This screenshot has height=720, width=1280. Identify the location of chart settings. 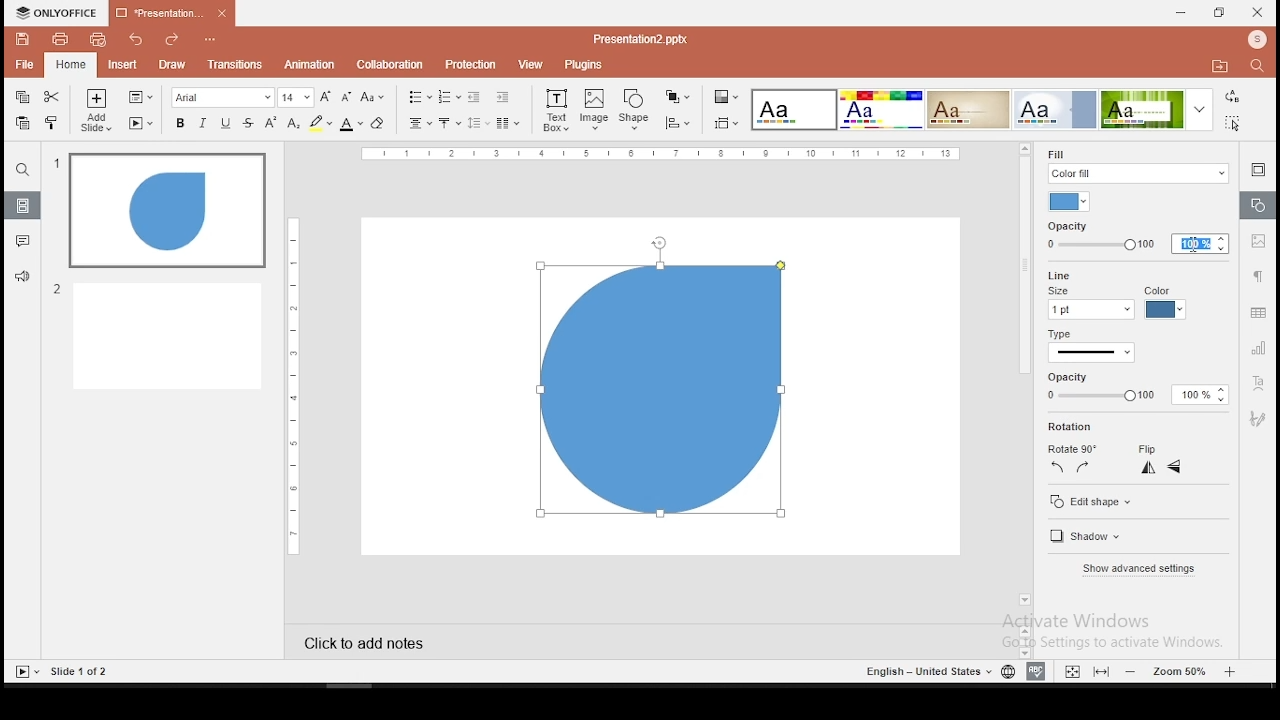
(1257, 349).